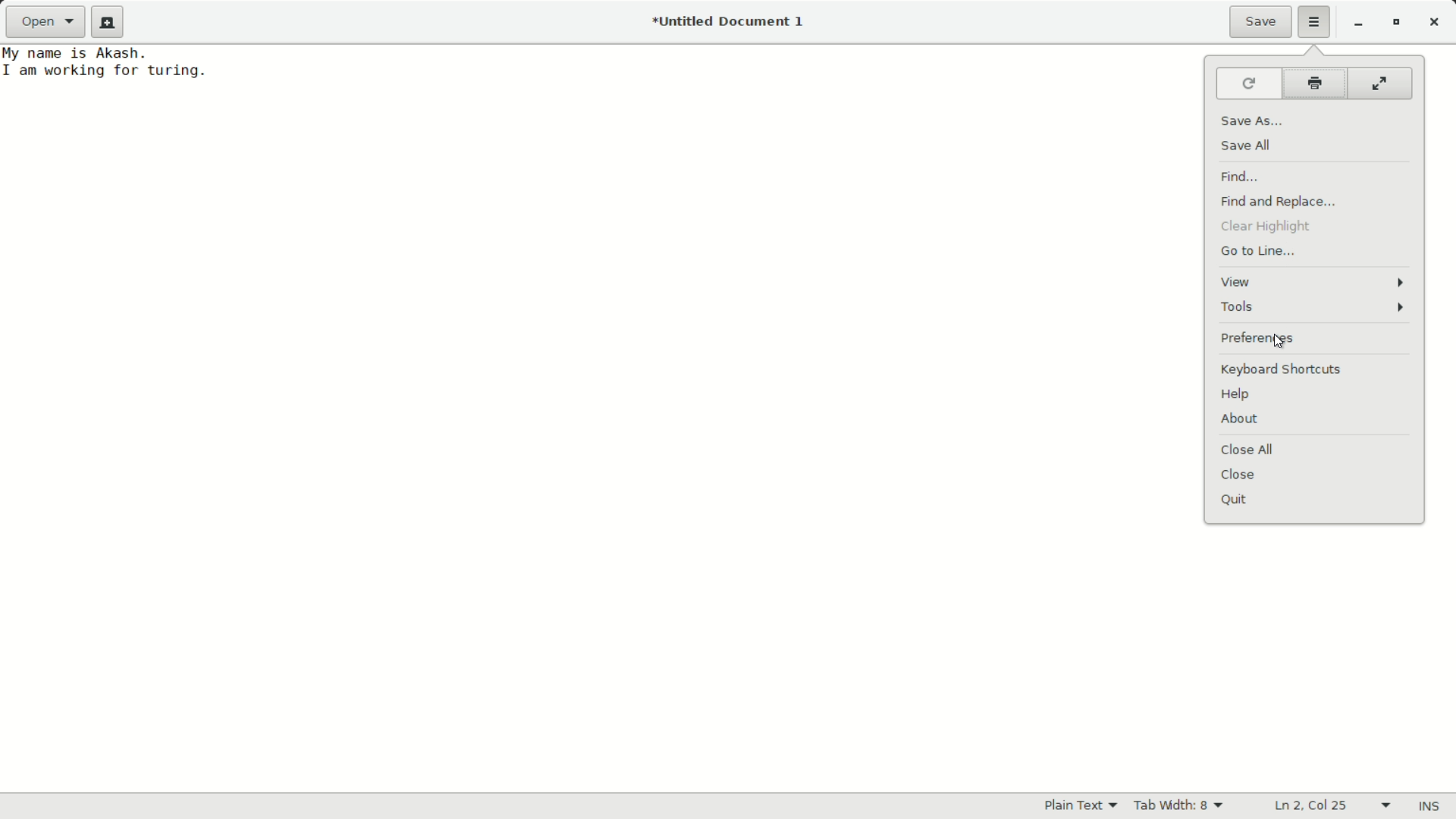  What do you see at coordinates (1282, 370) in the screenshot?
I see `keyboard shortcuts` at bounding box center [1282, 370].